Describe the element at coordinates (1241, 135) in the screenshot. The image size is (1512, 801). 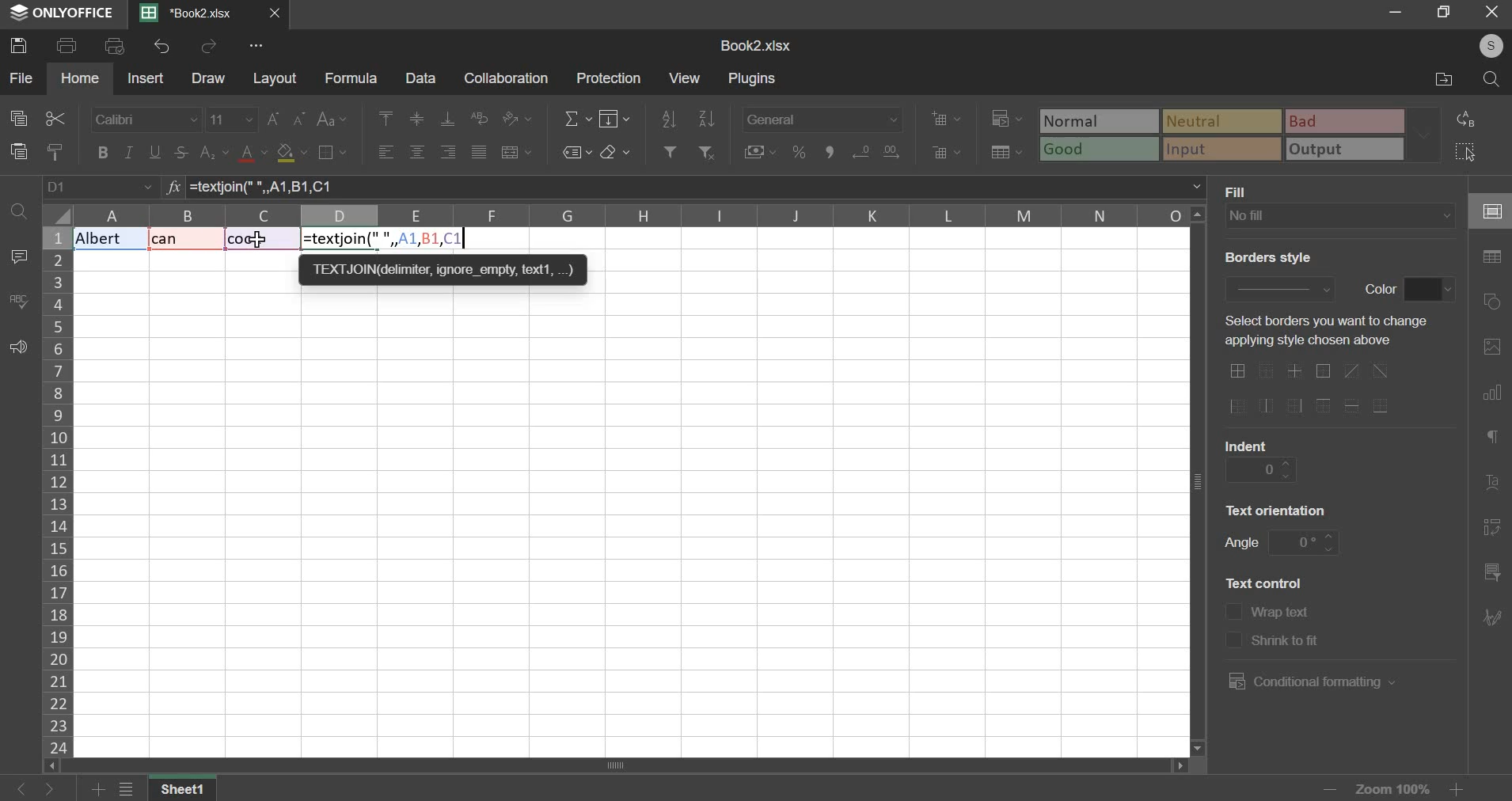
I see `type` at that location.